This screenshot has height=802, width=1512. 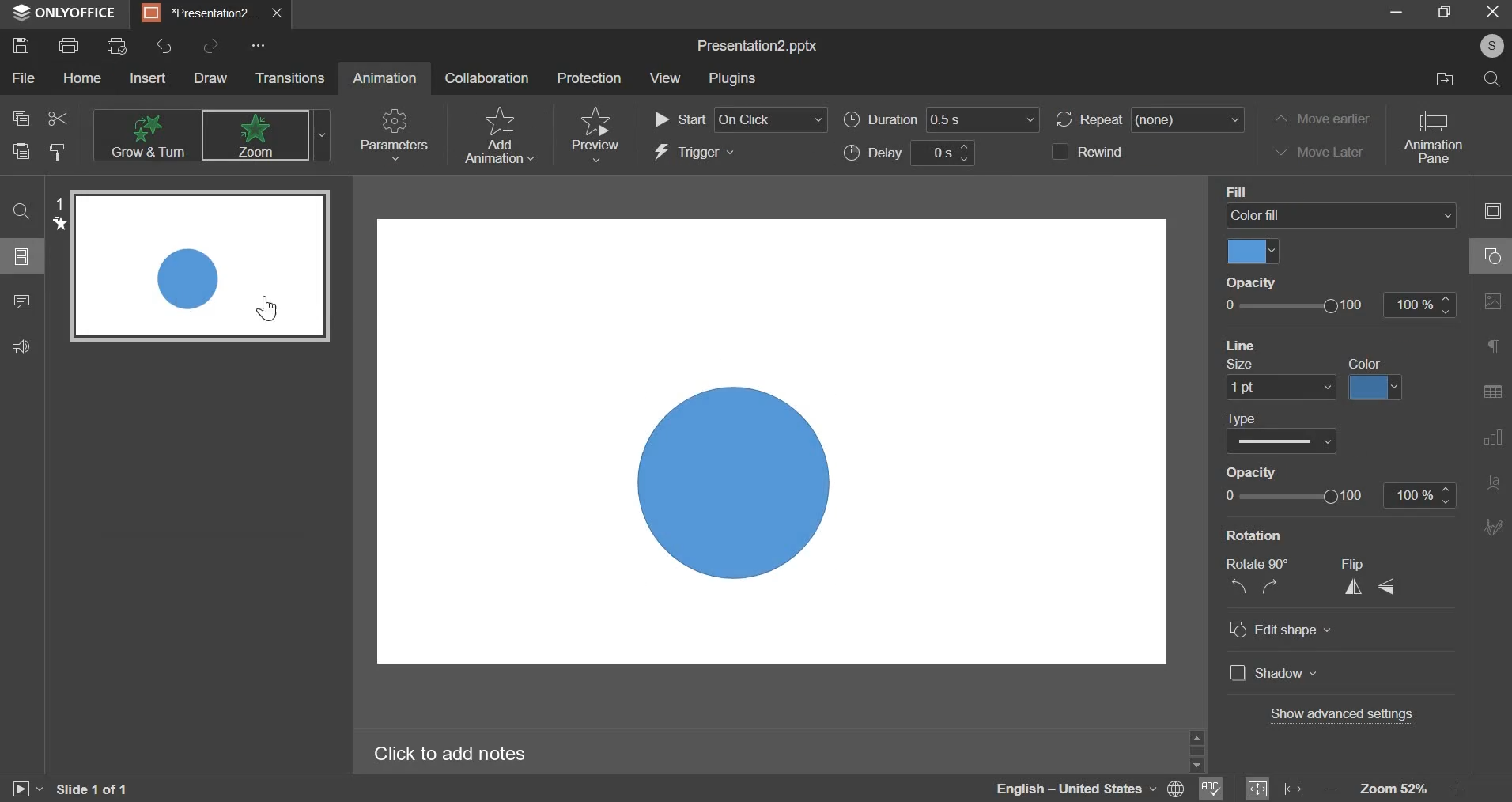 I want to click on Protection, so click(x=592, y=80).